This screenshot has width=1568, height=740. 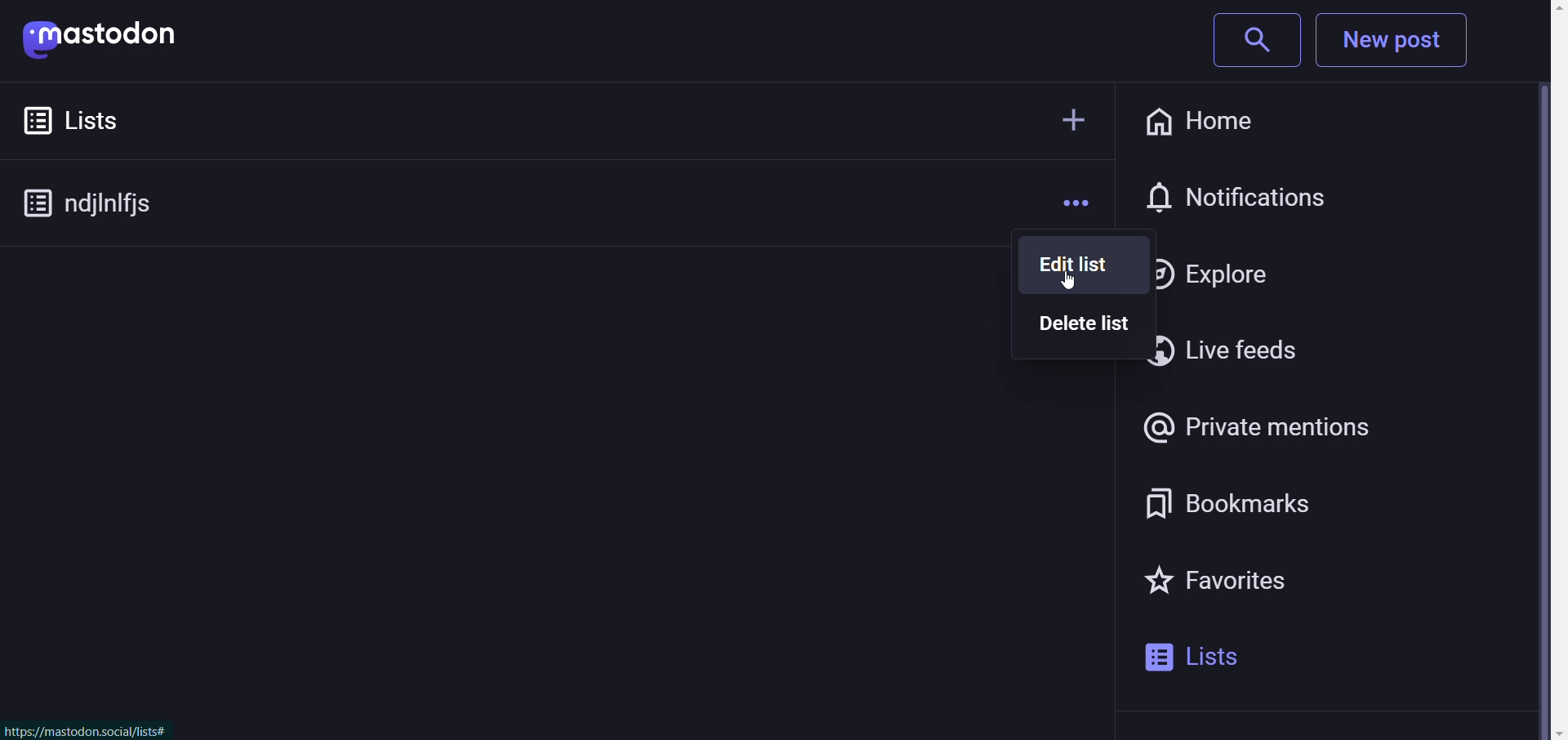 I want to click on cursor, so click(x=1078, y=284).